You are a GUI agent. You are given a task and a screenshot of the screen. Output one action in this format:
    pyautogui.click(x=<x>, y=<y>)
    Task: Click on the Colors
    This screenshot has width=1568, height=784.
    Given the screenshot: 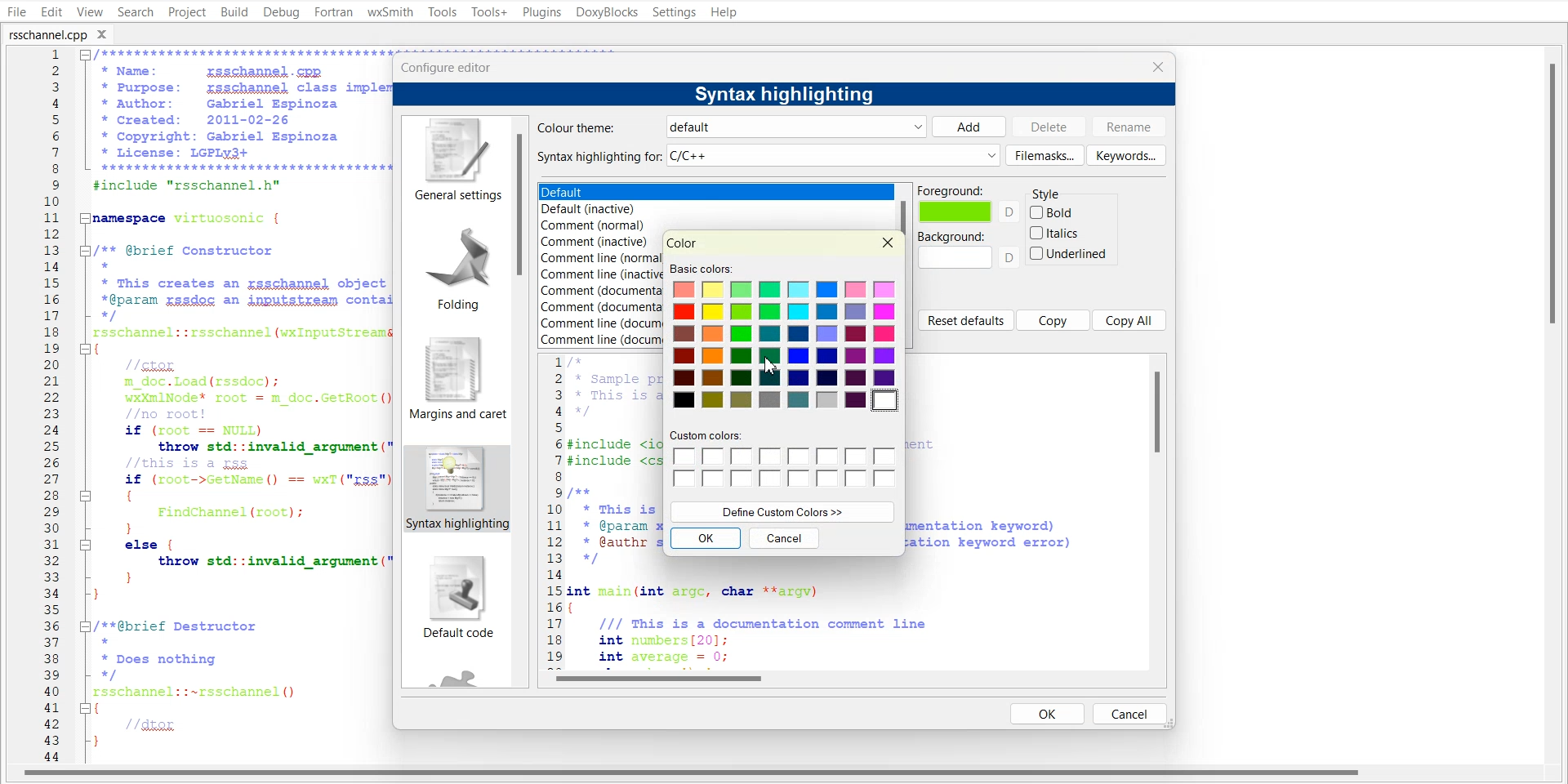 What is the action you would take?
    pyautogui.click(x=787, y=345)
    